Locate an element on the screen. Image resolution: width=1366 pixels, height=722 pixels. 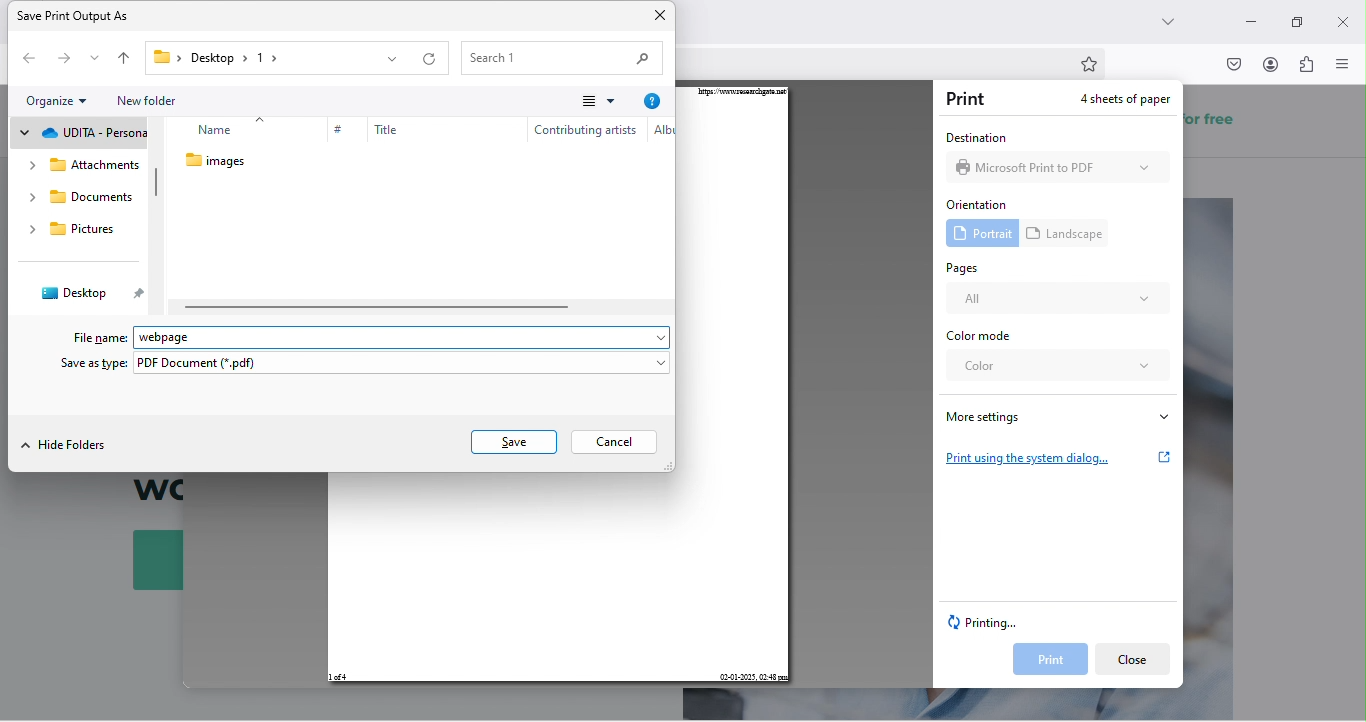
desktop is located at coordinates (92, 290).